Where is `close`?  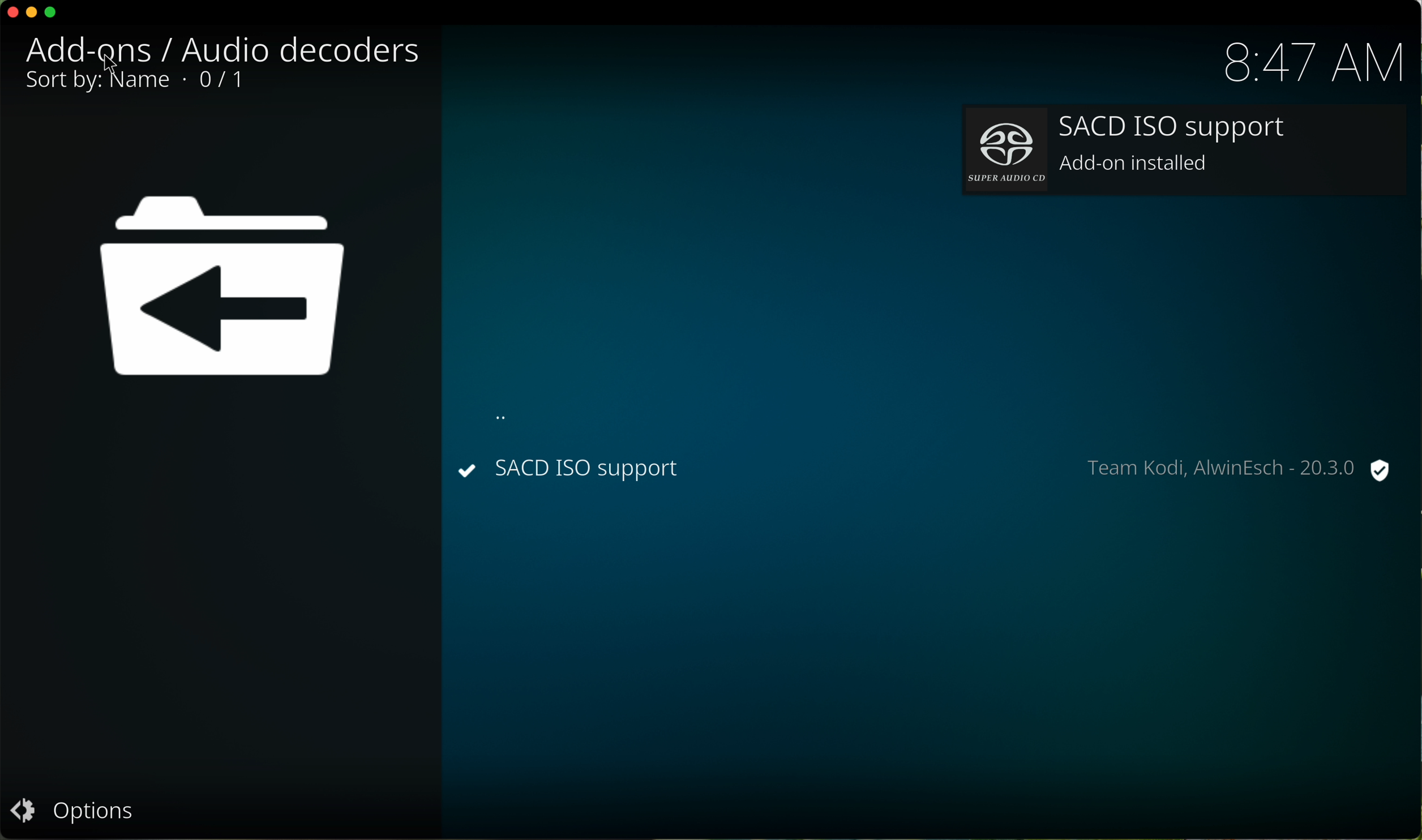 close is located at coordinates (10, 12).